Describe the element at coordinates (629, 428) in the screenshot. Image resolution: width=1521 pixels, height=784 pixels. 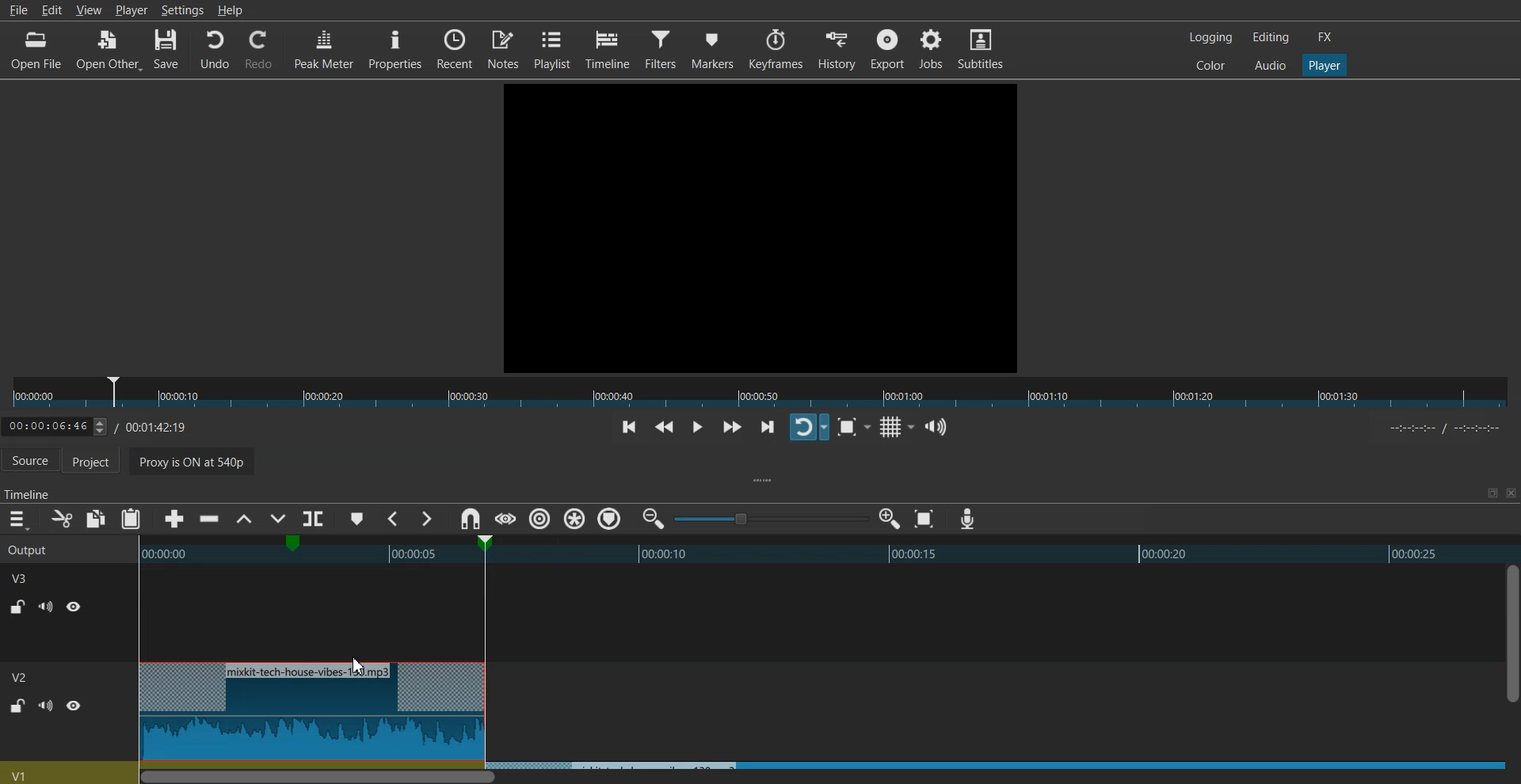
I see `Skip to previous point` at that location.